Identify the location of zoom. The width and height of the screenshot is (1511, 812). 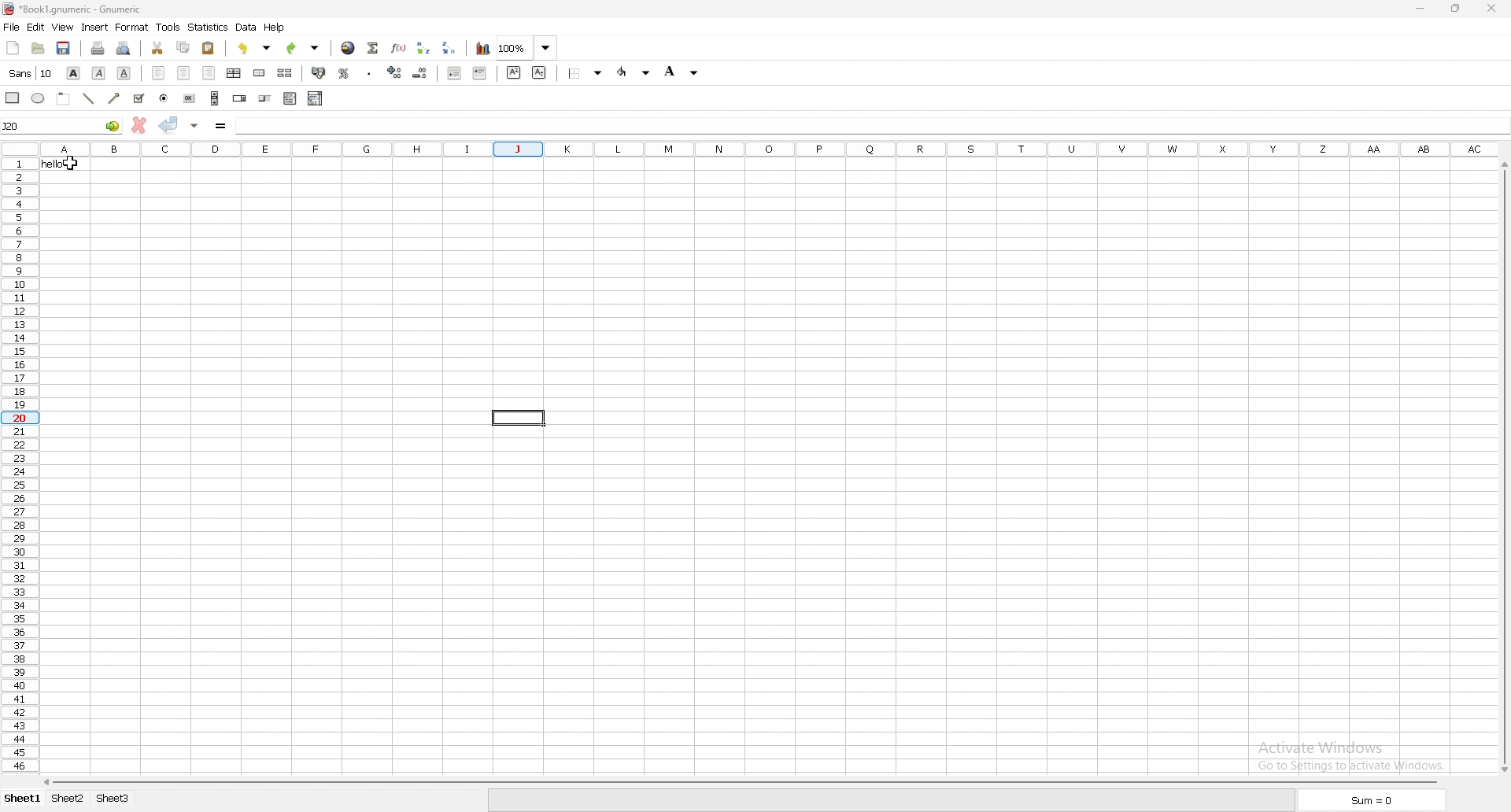
(527, 47).